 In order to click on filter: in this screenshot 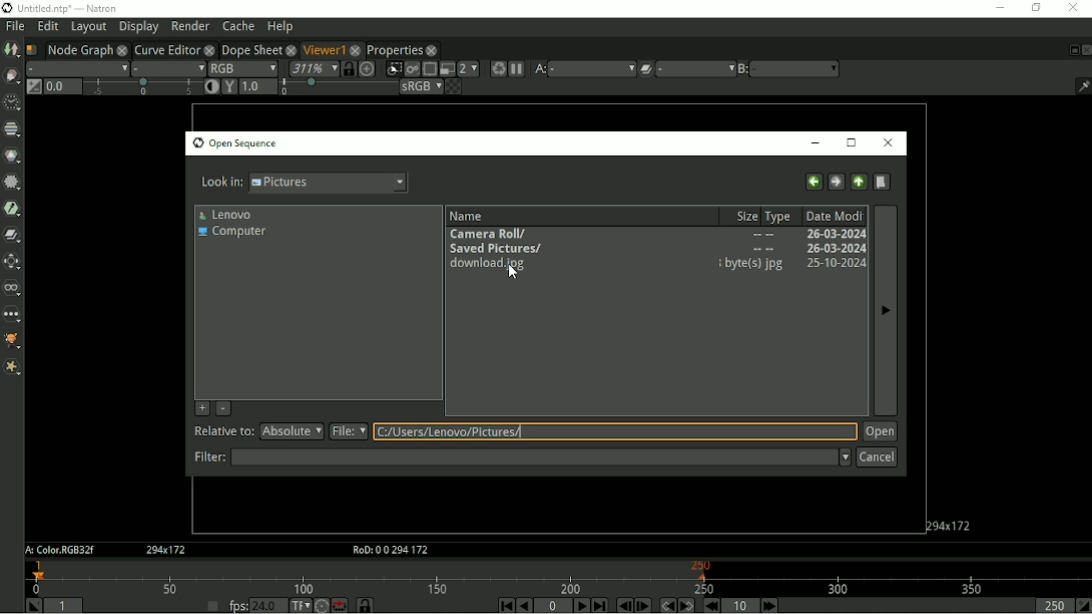, I will do `click(208, 457)`.